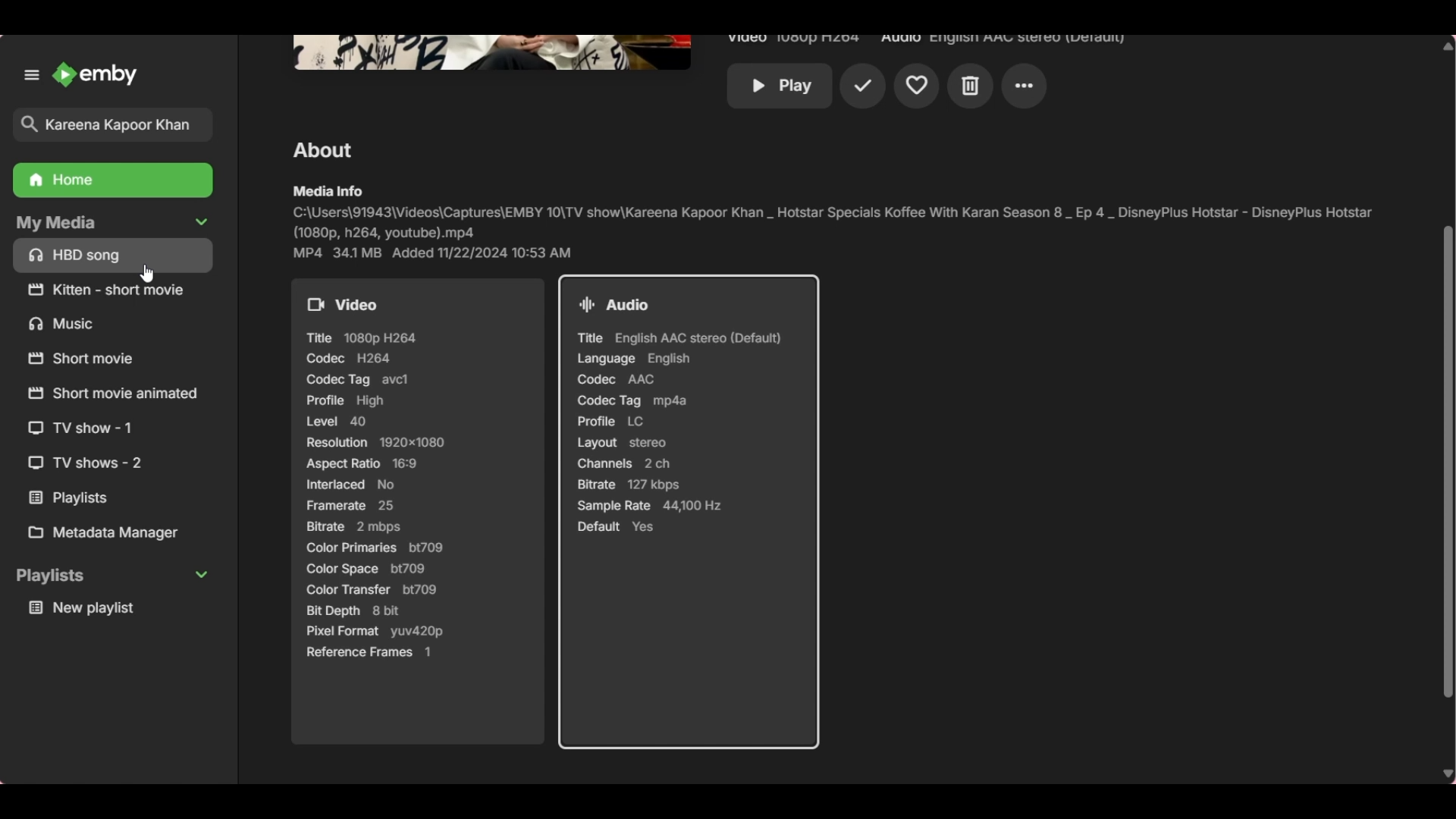 The height and width of the screenshot is (819, 1456). Describe the element at coordinates (31, 74) in the screenshot. I see `Unpin left panel` at that location.